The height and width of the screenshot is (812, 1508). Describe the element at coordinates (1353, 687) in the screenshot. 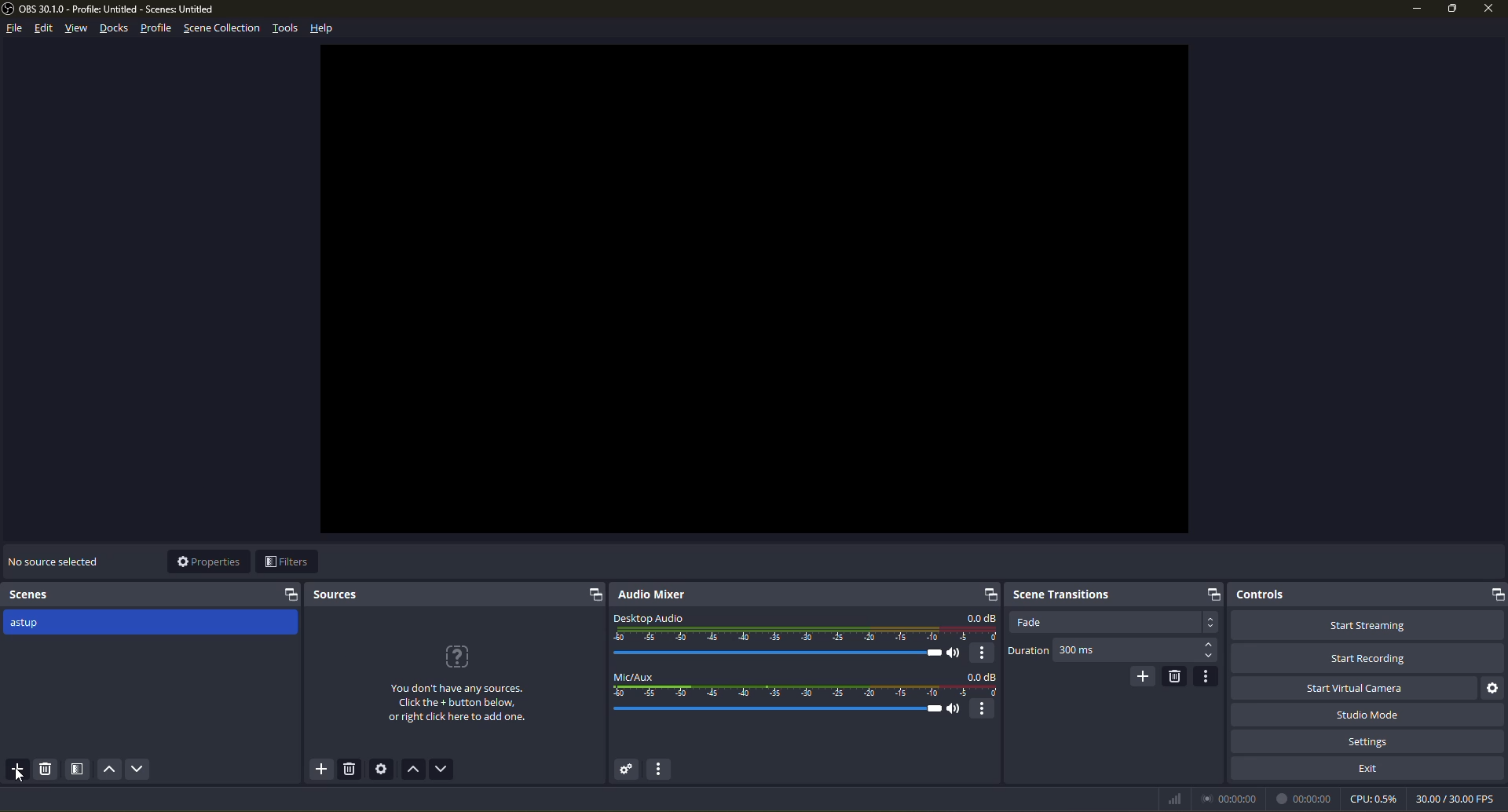

I see `start virtual camera` at that location.